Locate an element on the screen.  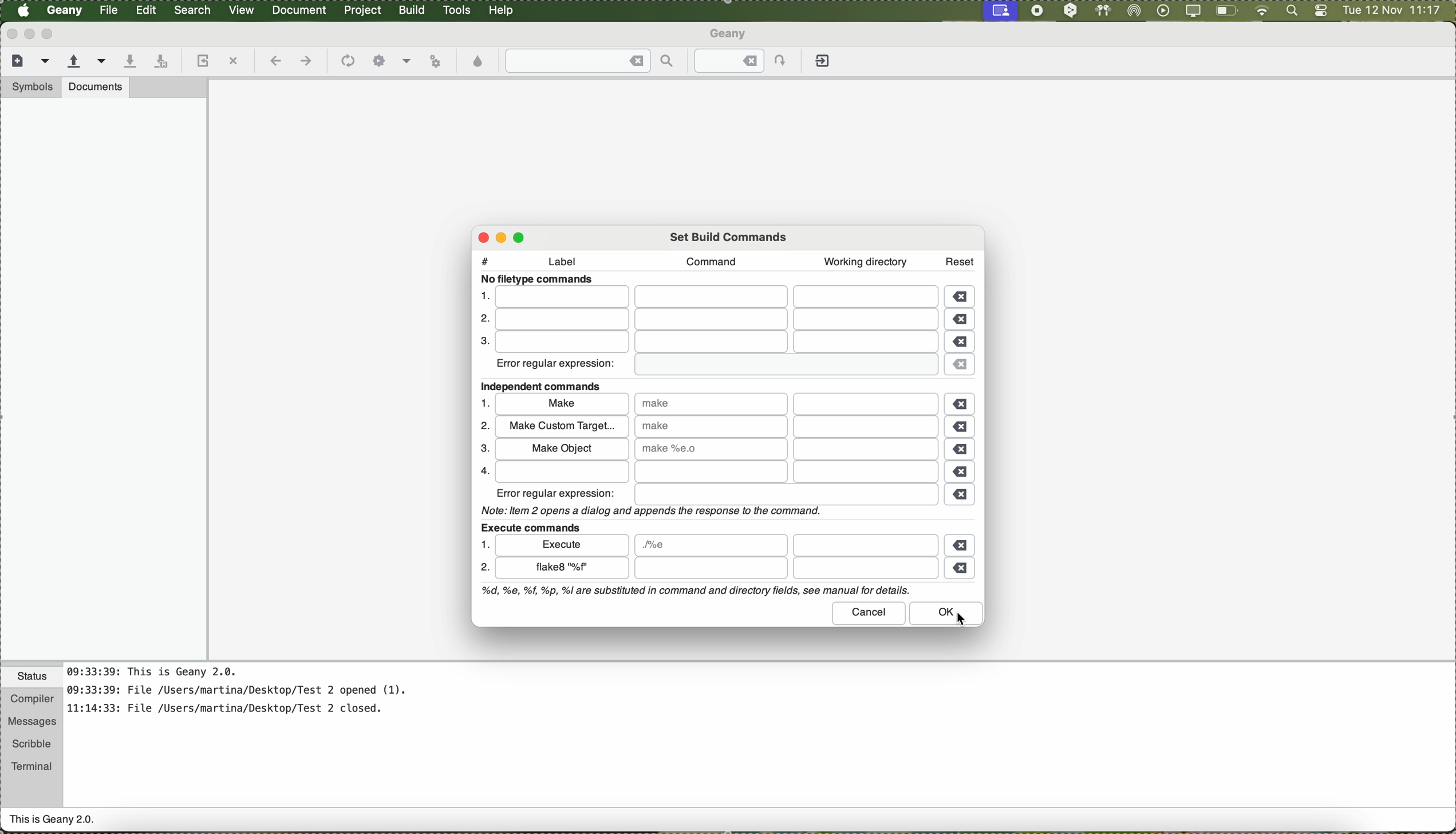
minimize is located at coordinates (505, 237).